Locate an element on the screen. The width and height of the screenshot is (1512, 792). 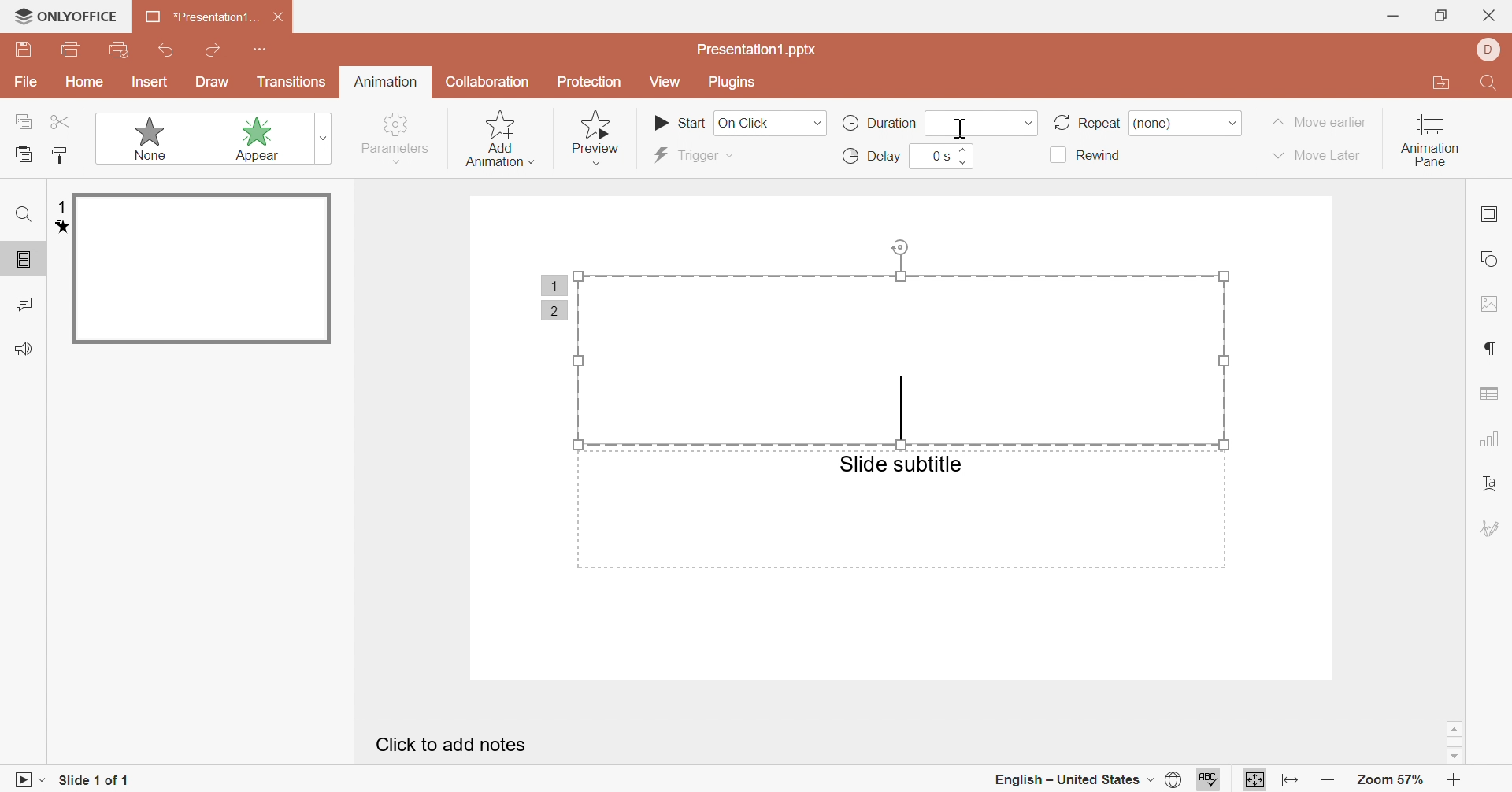
1 is located at coordinates (61, 207).